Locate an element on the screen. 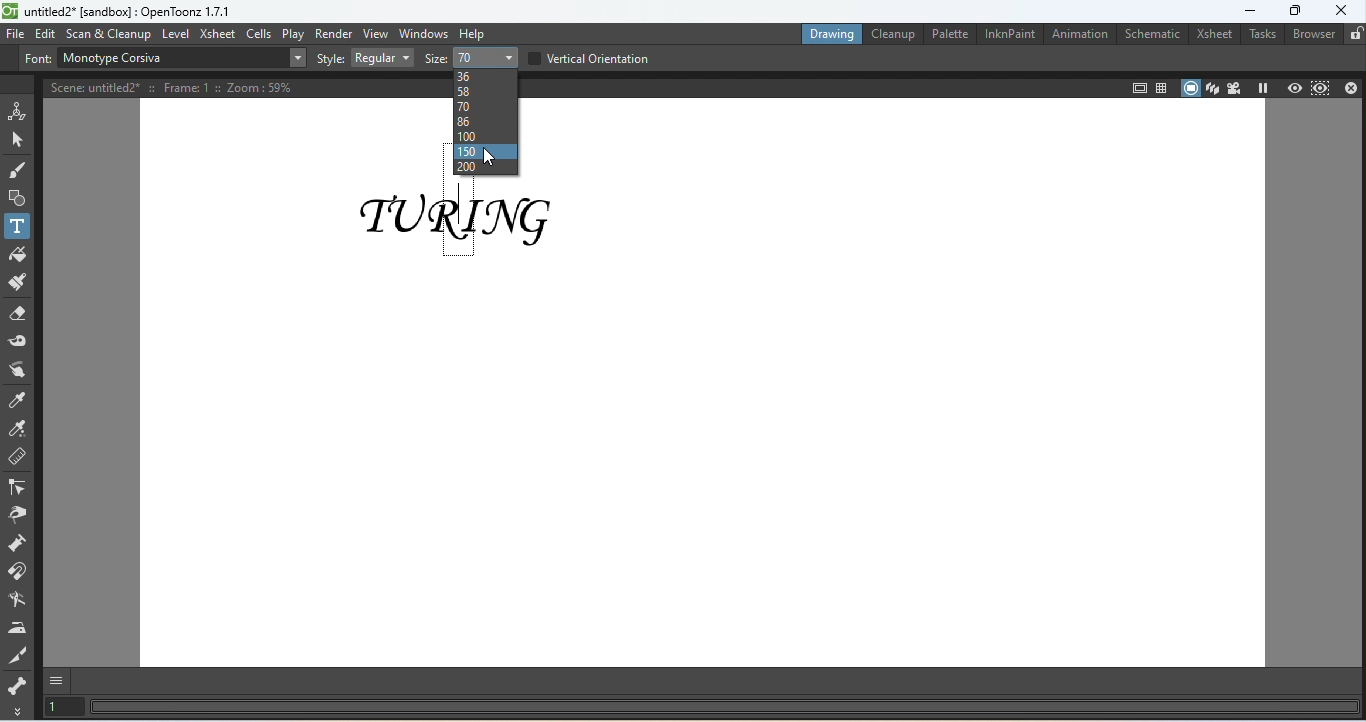 The image size is (1366, 722). Level is located at coordinates (176, 33).